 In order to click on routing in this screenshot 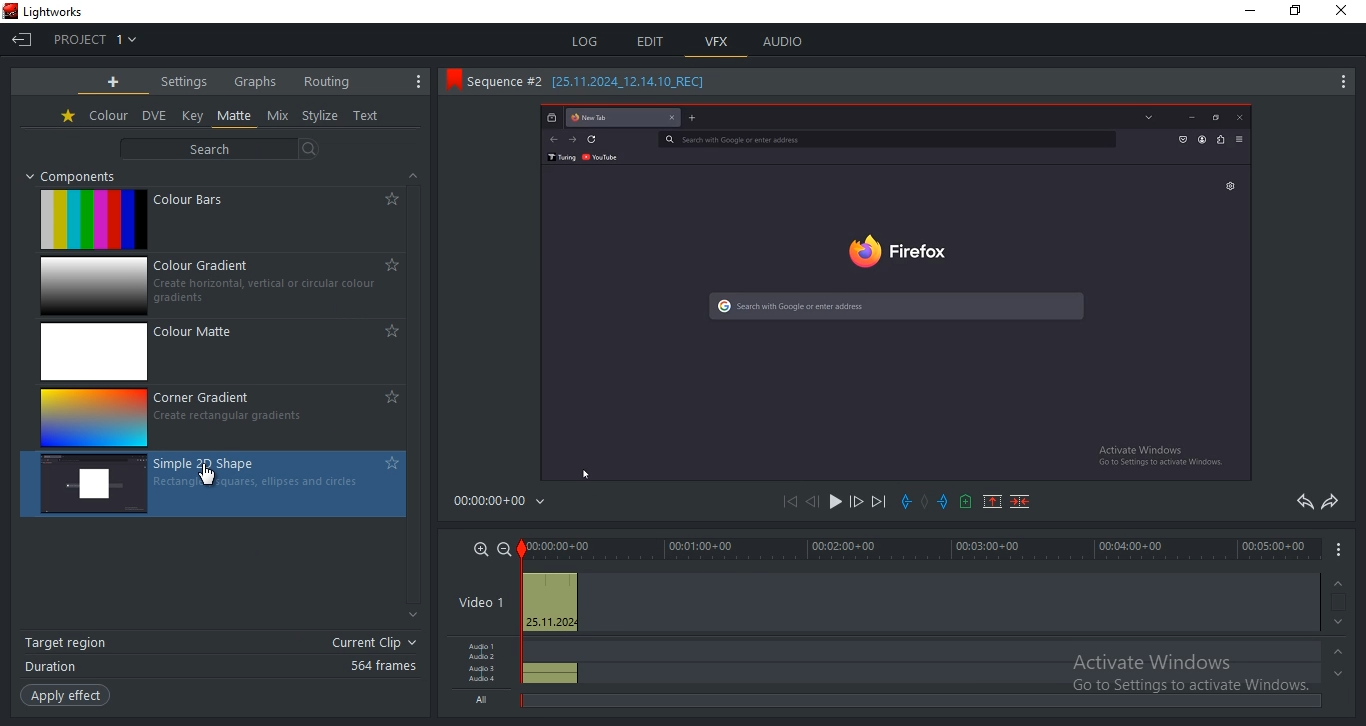, I will do `click(326, 81)`.